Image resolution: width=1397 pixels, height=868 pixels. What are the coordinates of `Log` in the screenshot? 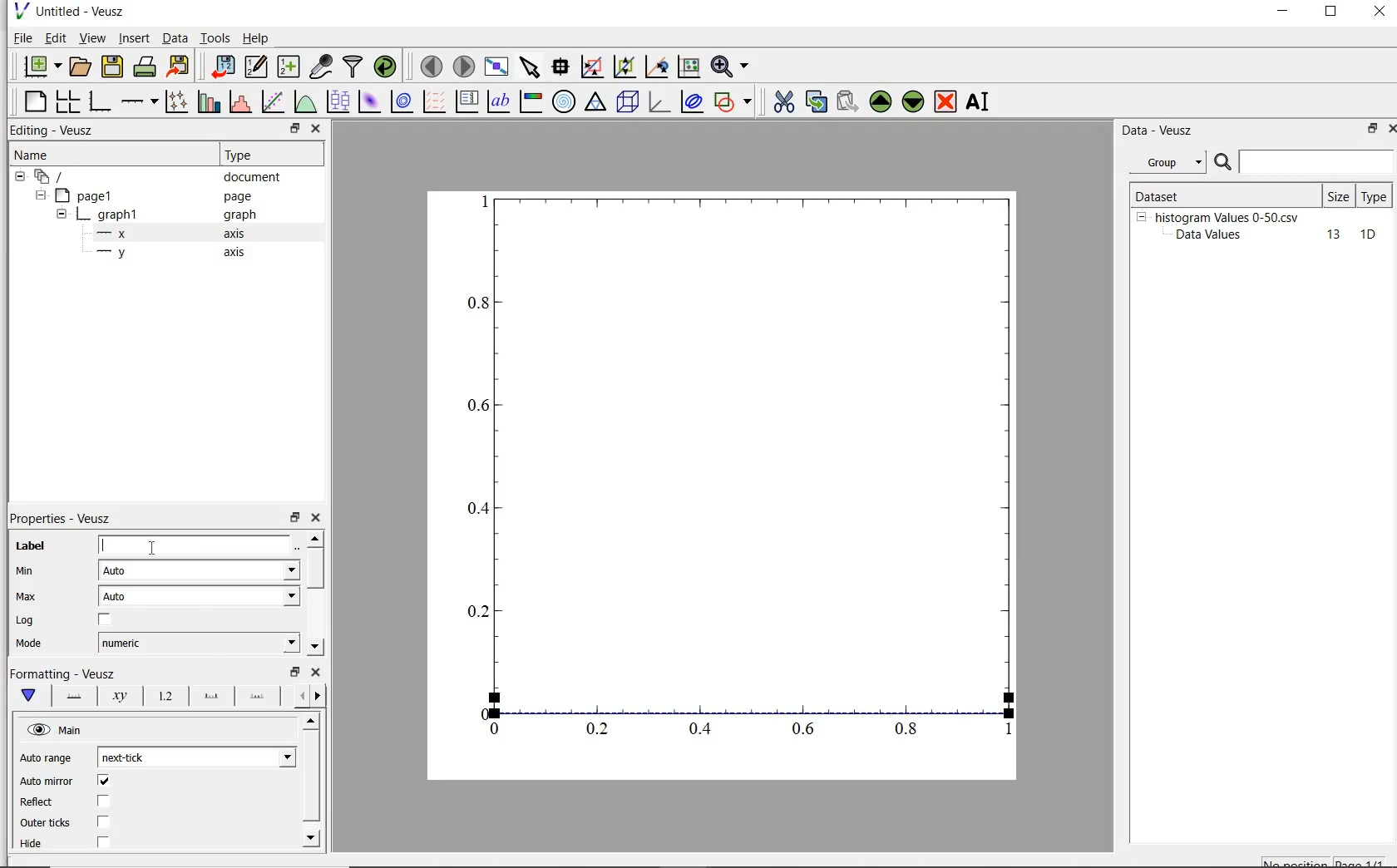 It's located at (24, 621).